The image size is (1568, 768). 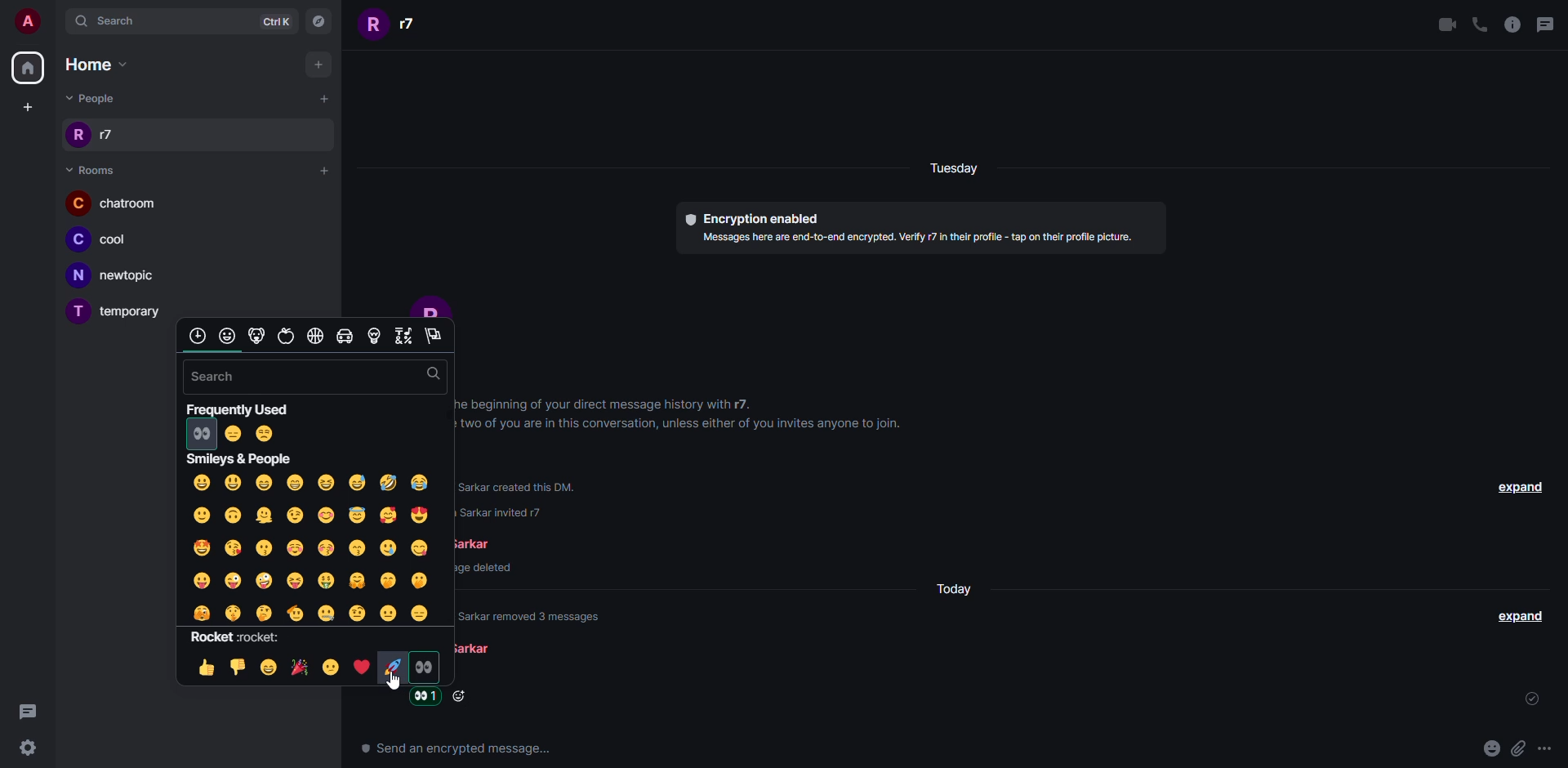 I want to click on room, so click(x=114, y=203).